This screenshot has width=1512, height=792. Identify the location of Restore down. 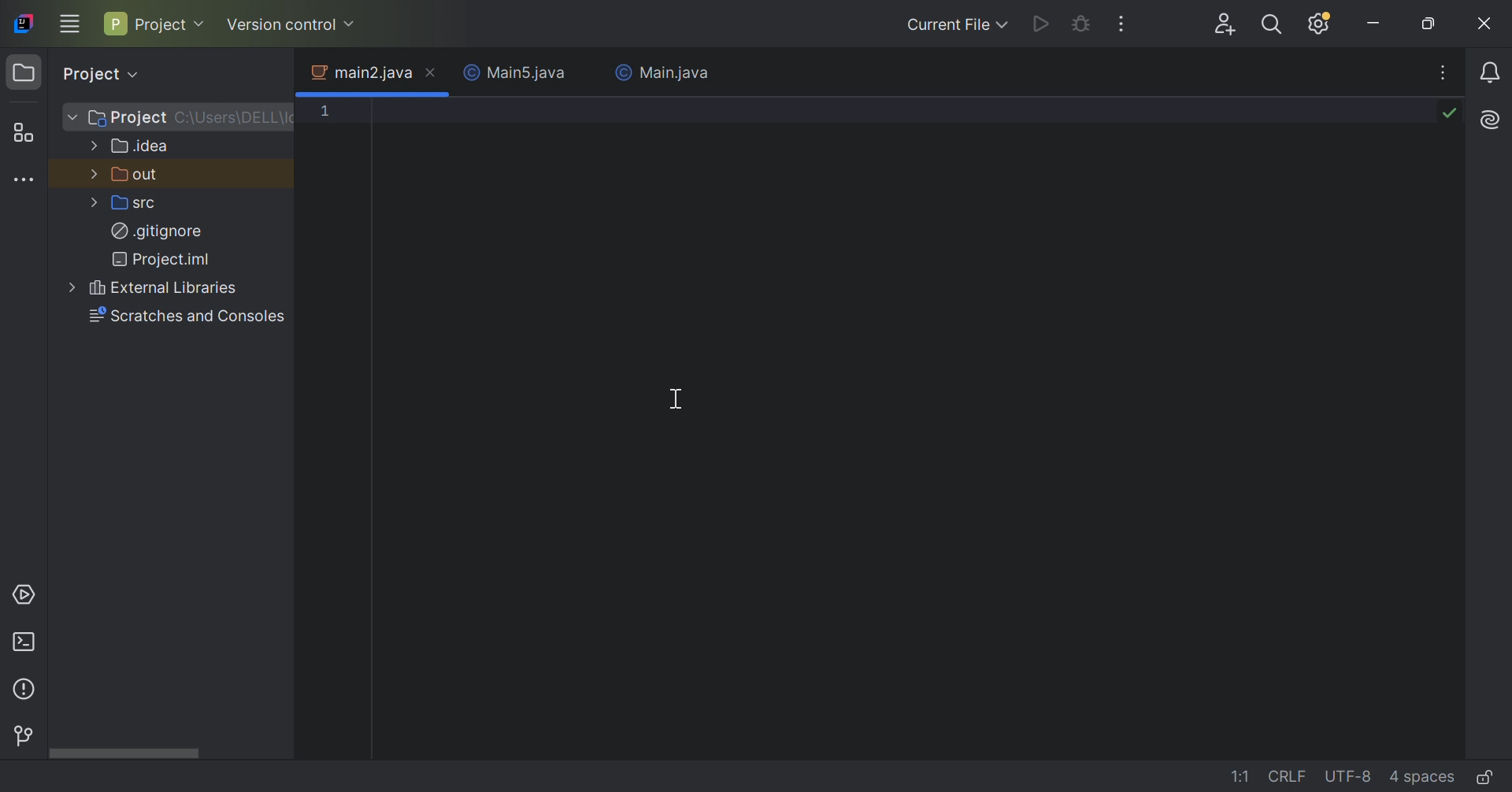
(1435, 24).